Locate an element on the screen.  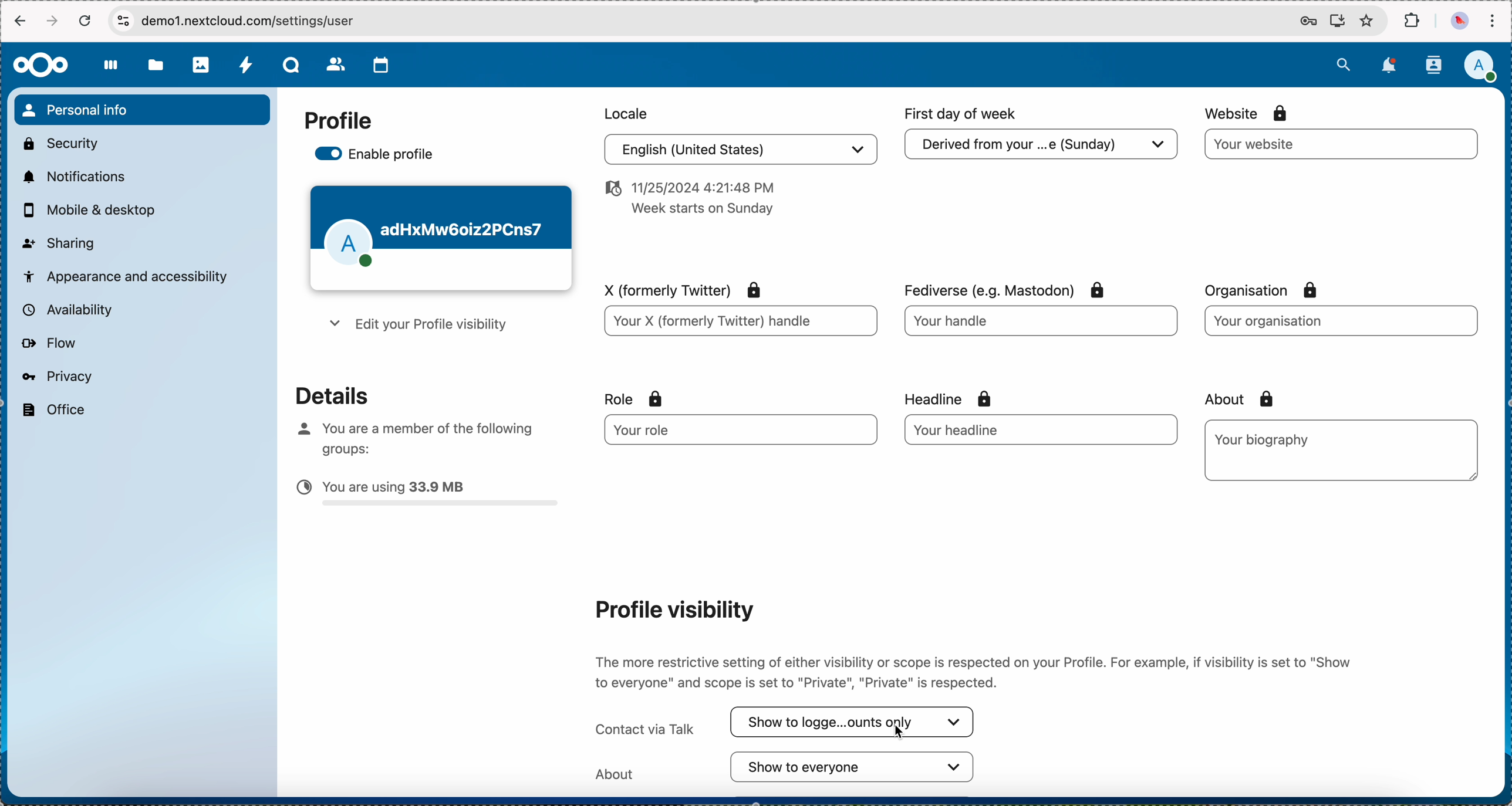
website is located at coordinates (1248, 113).